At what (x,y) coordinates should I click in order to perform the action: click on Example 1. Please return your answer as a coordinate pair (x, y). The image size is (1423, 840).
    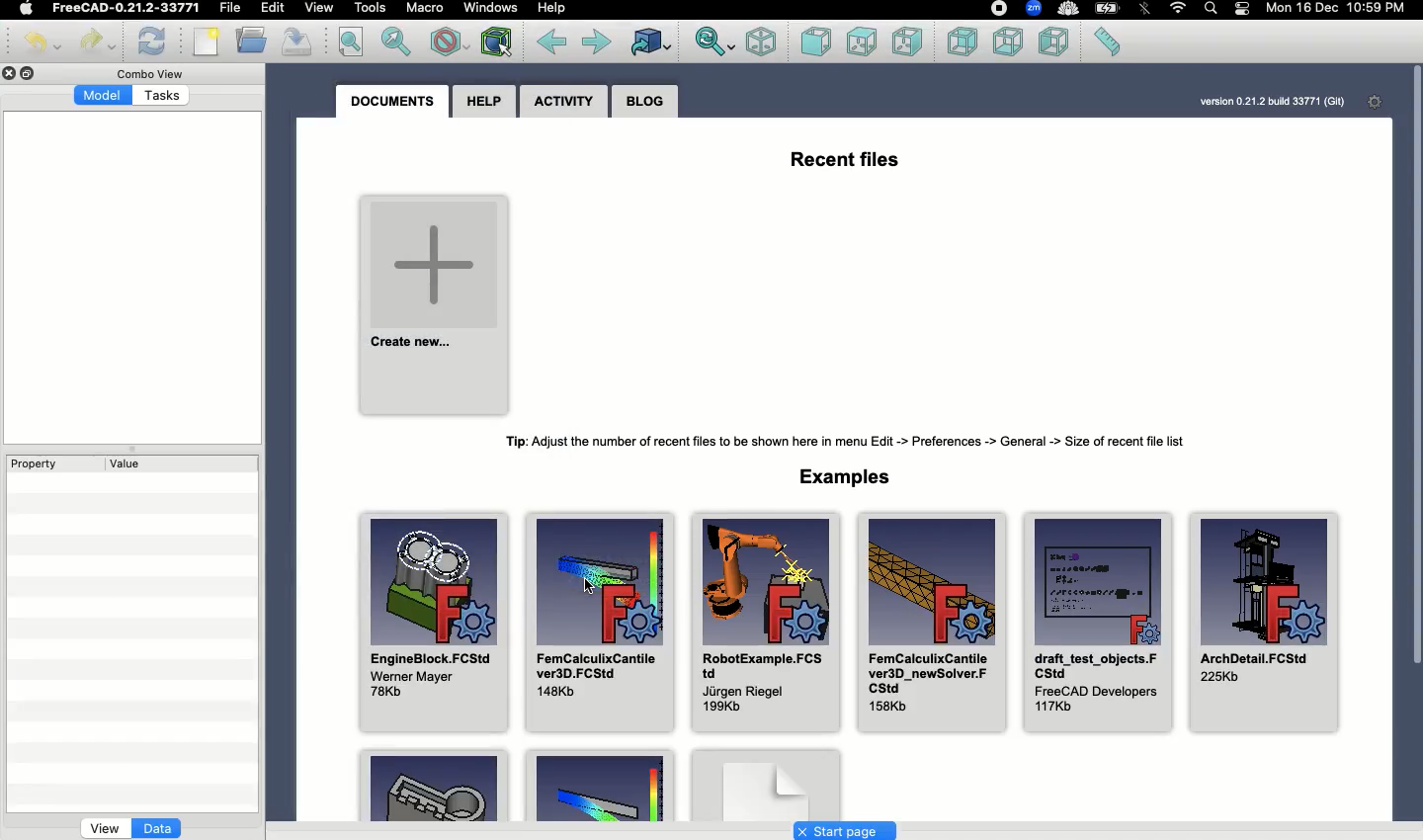
    Looking at the image, I should click on (436, 783).